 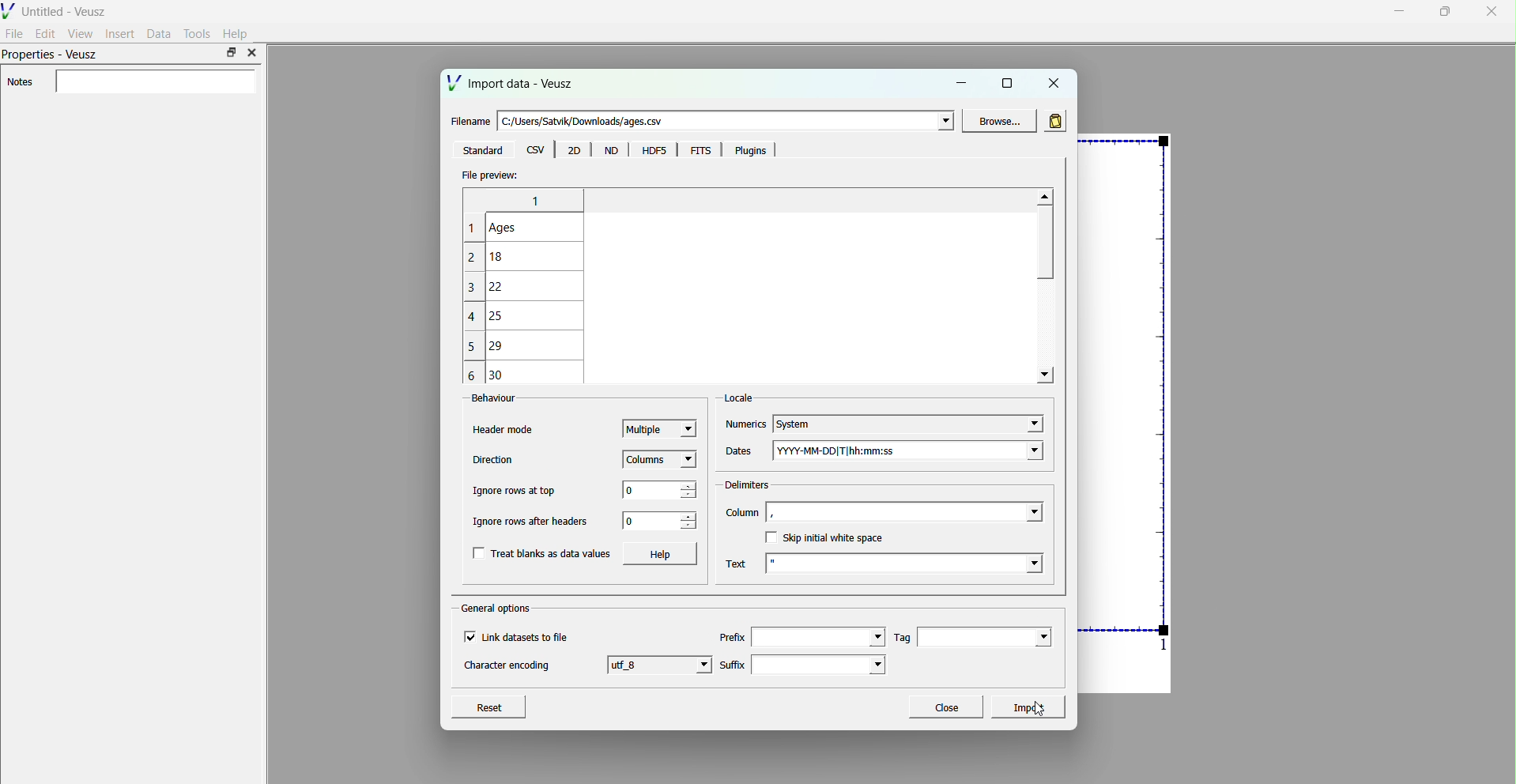 What do you see at coordinates (741, 512) in the screenshot?
I see `Column` at bounding box center [741, 512].